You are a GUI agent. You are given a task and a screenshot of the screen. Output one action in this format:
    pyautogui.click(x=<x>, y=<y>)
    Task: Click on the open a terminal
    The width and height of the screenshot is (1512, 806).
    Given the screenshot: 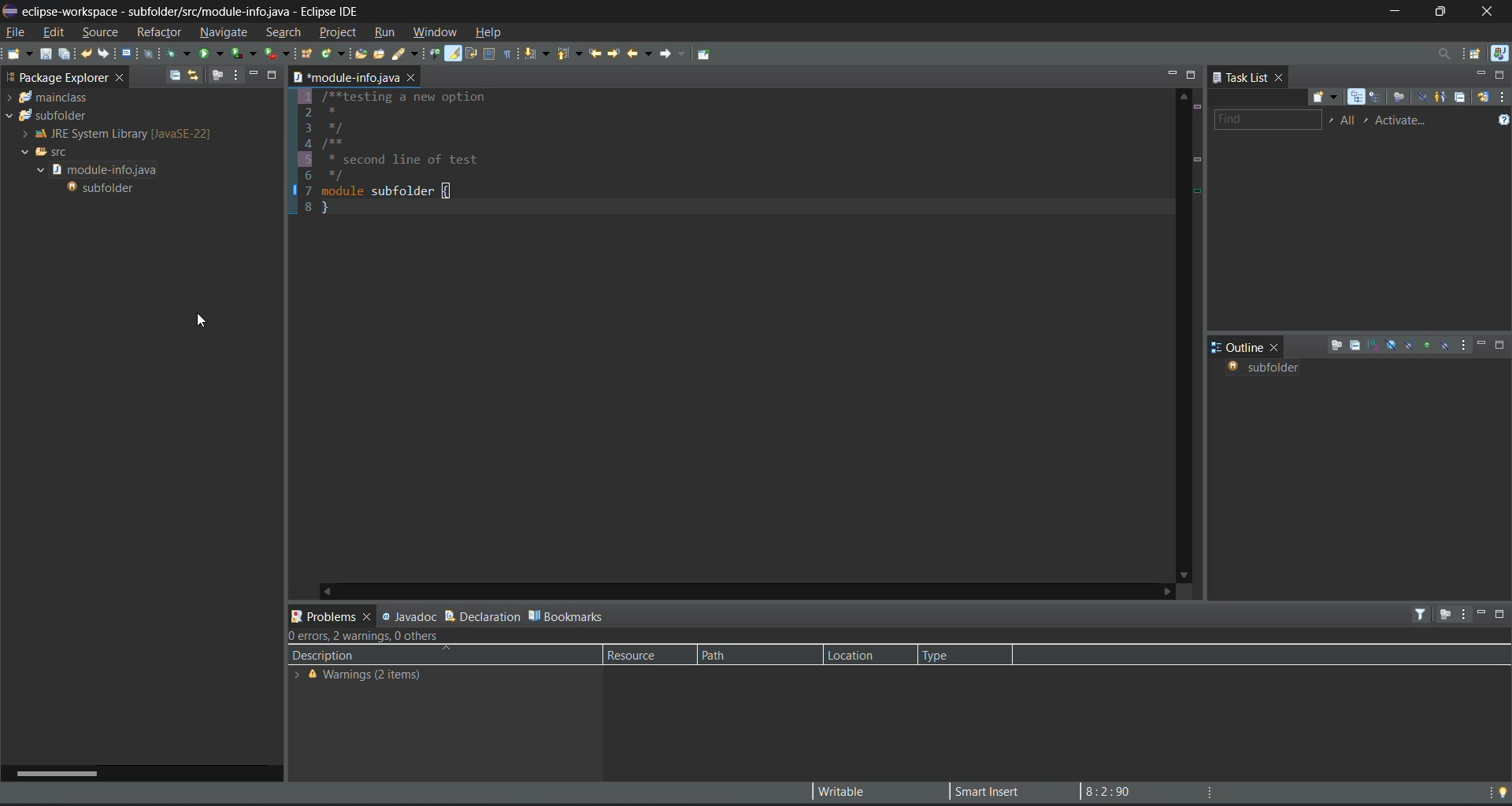 What is the action you would take?
    pyautogui.click(x=128, y=54)
    